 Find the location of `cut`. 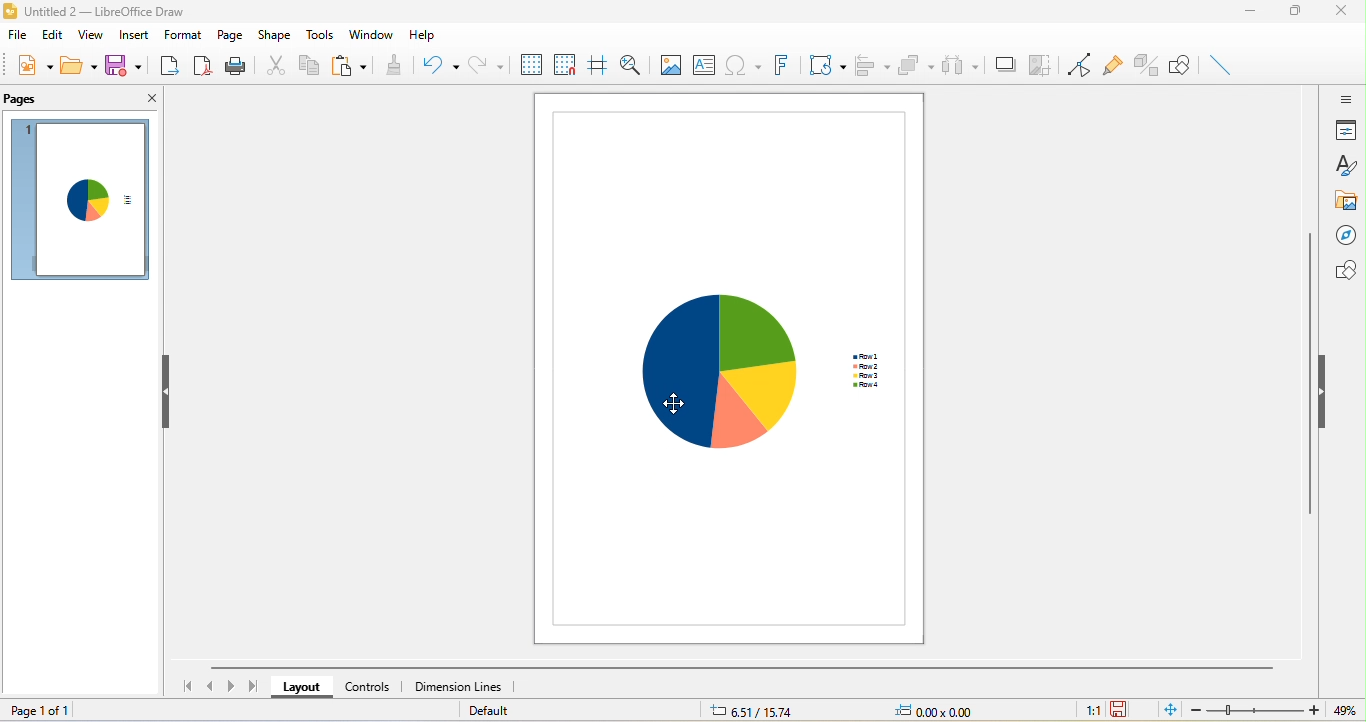

cut is located at coordinates (275, 65).